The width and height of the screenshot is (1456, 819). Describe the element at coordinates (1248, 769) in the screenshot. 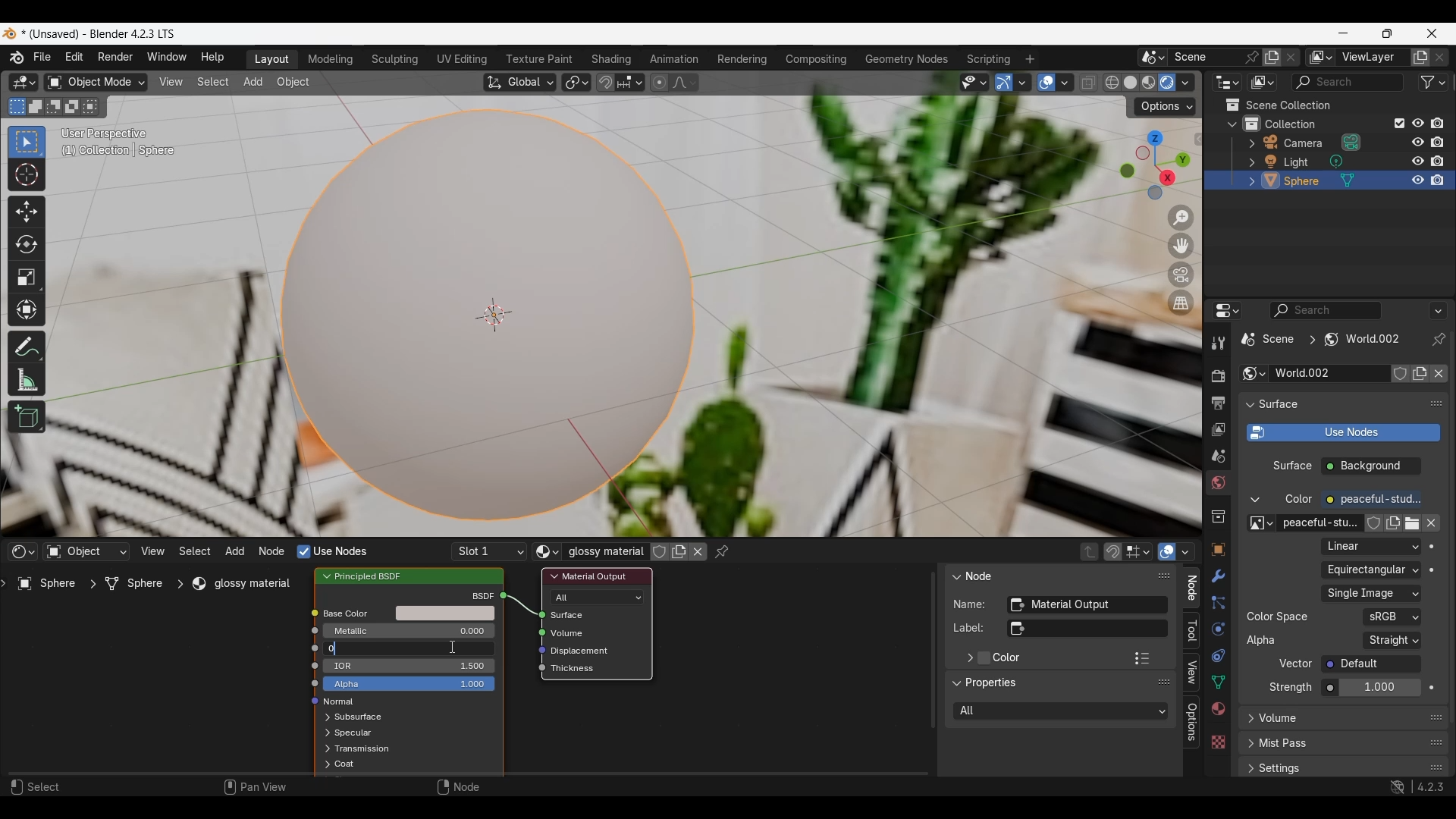

I see `expand respective scenes` at that location.